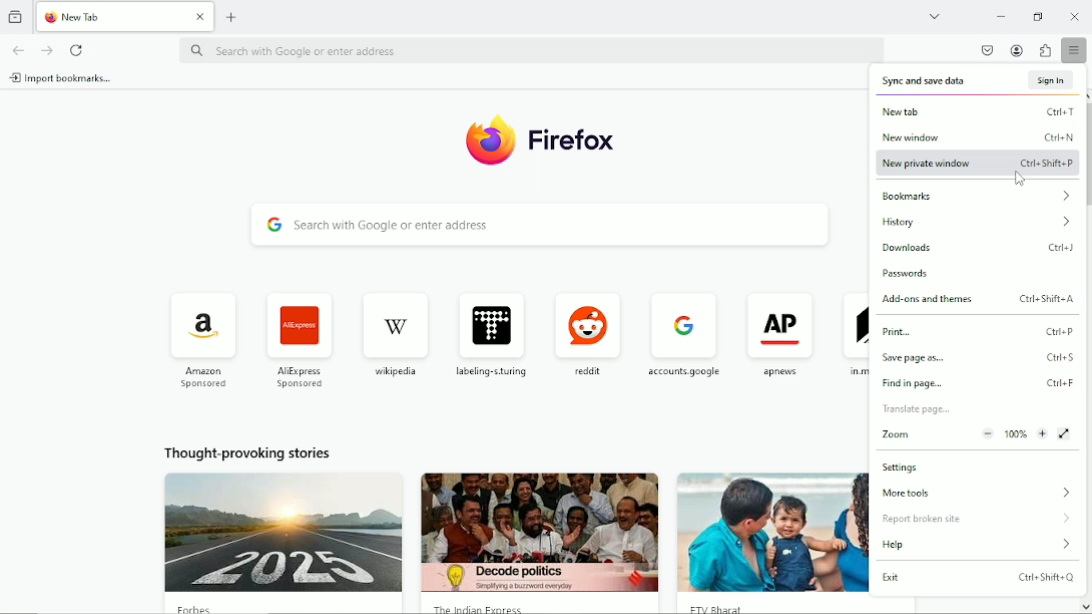 Image resolution: width=1092 pixels, height=614 pixels. What do you see at coordinates (977, 299) in the screenshot?
I see `Add-ons and themes` at bounding box center [977, 299].